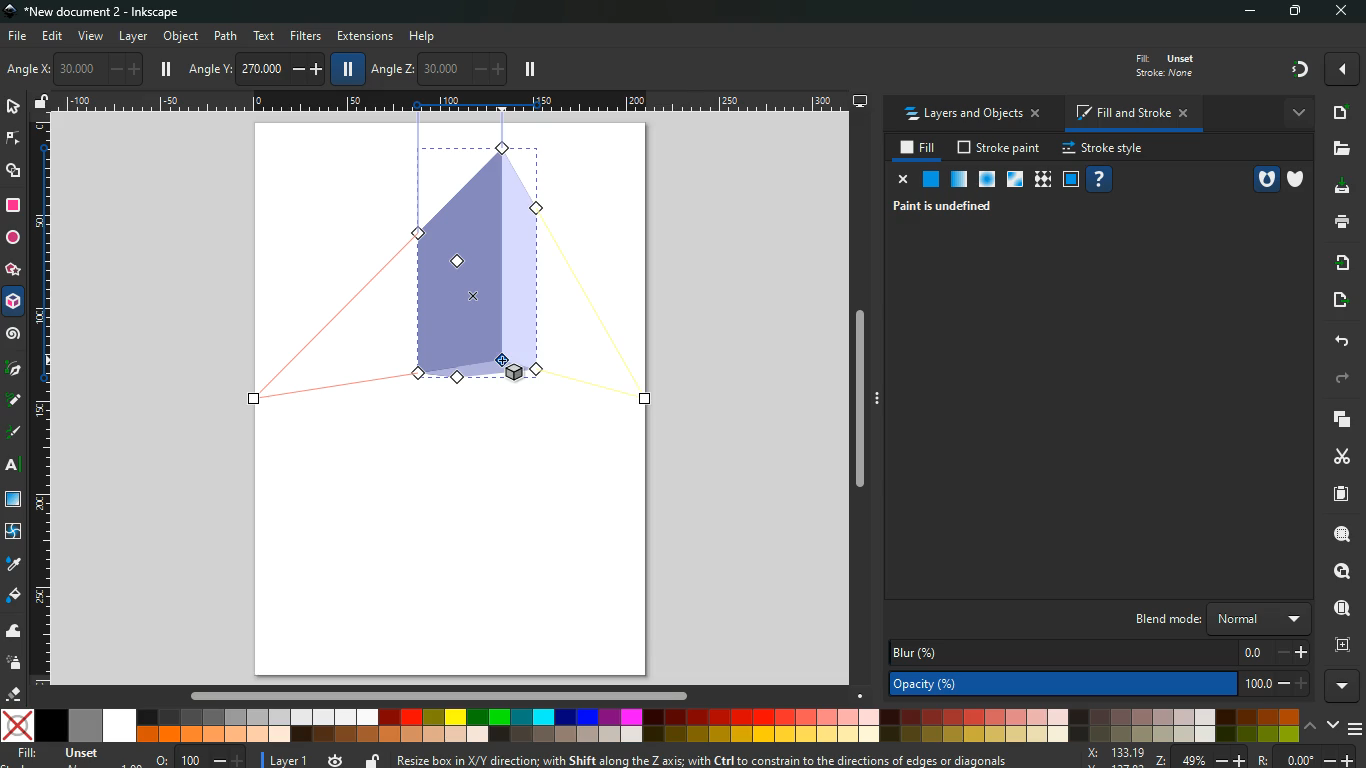  I want to click on spray, so click(14, 662).